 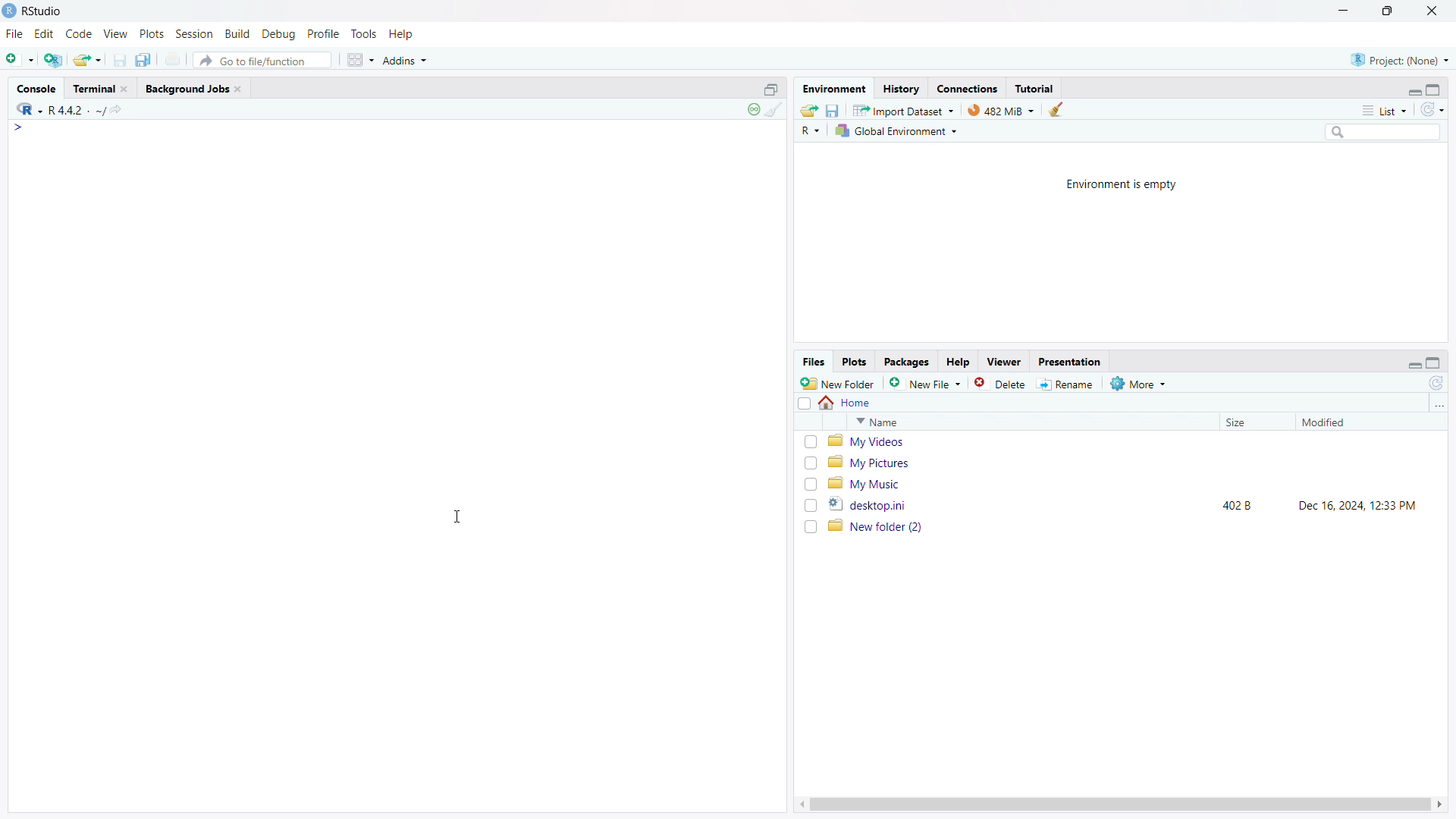 What do you see at coordinates (43, 11) in the screenshot?
I see `rstudio` at bounding box center [43, 11].